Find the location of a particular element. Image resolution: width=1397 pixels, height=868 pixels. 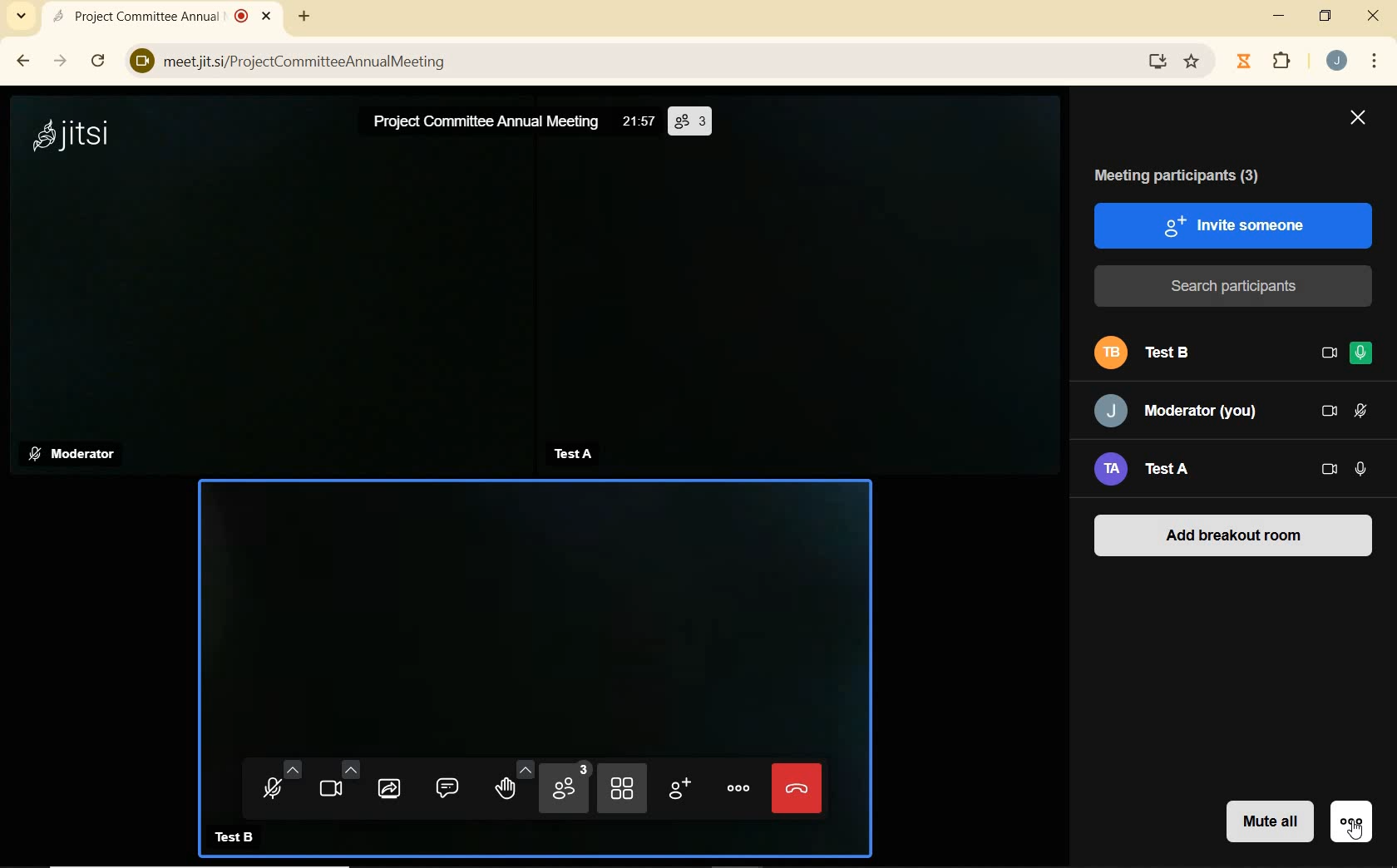

Project Committee Annual Meeting is located at coordinates (488, 124).